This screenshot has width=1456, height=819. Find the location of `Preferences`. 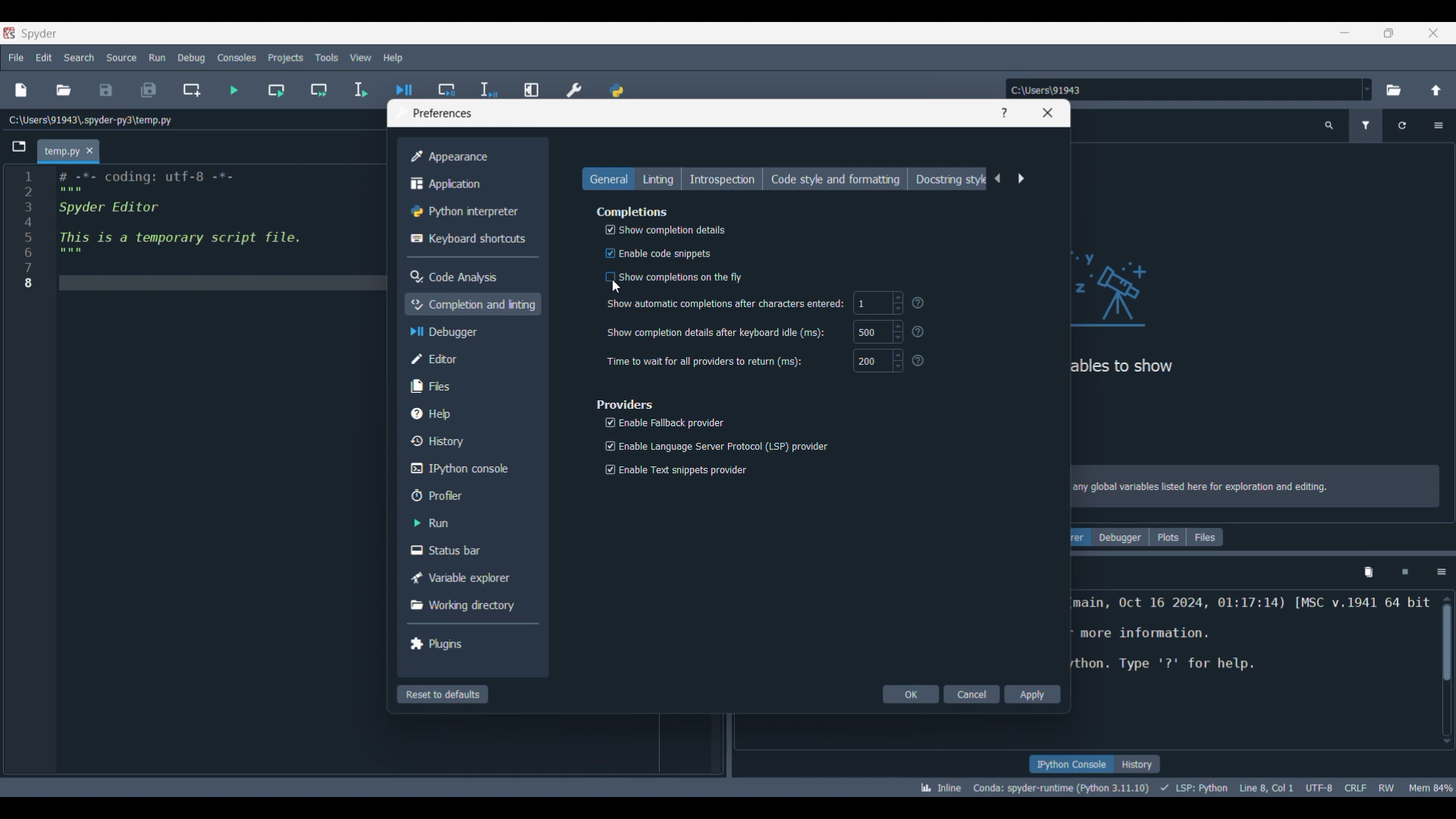

Preferences is located at coordinates (575, 86).